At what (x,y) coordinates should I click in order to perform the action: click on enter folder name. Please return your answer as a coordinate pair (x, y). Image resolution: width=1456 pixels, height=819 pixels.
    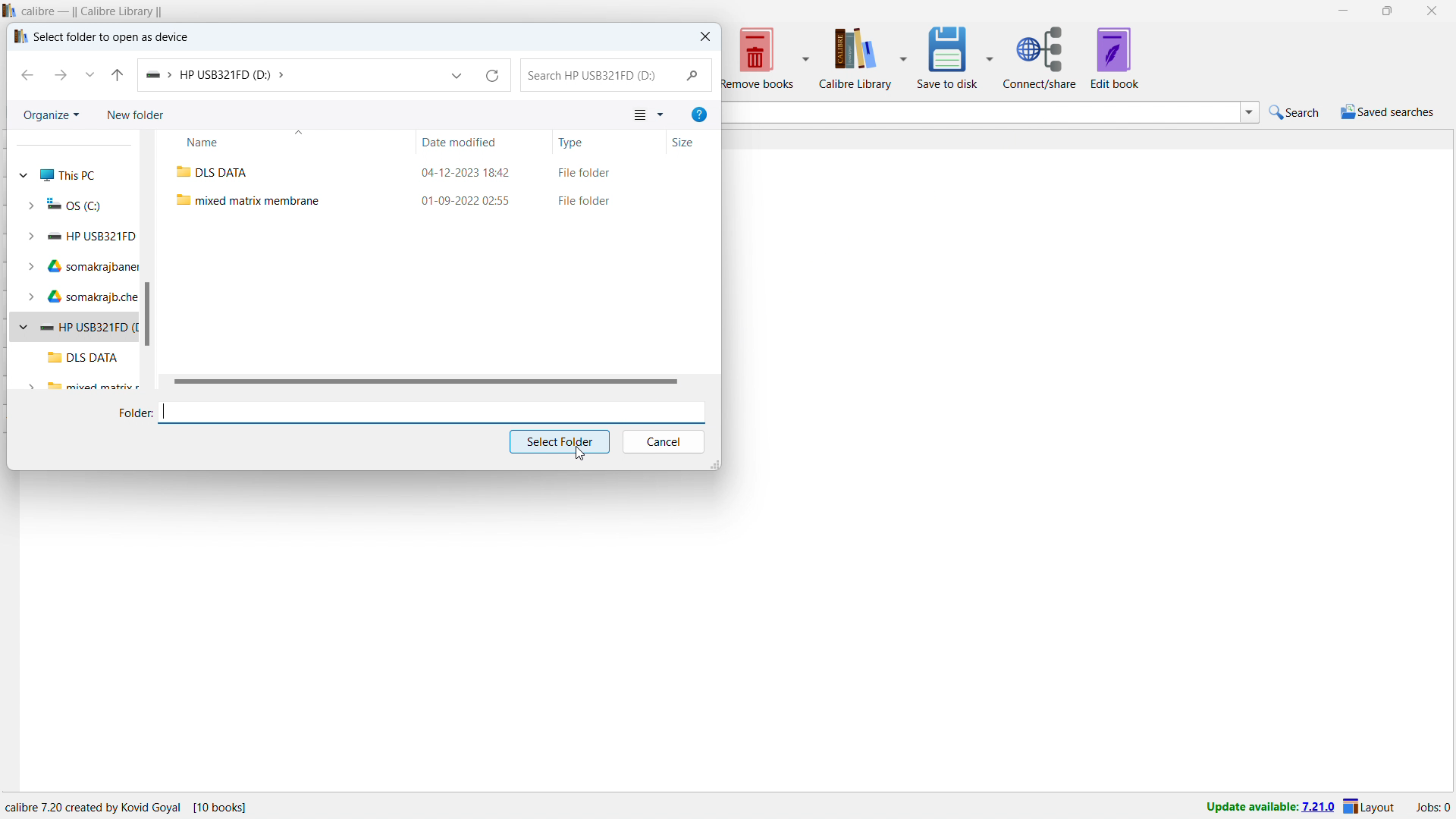
    Looking at the image, I should click on (432, 413).